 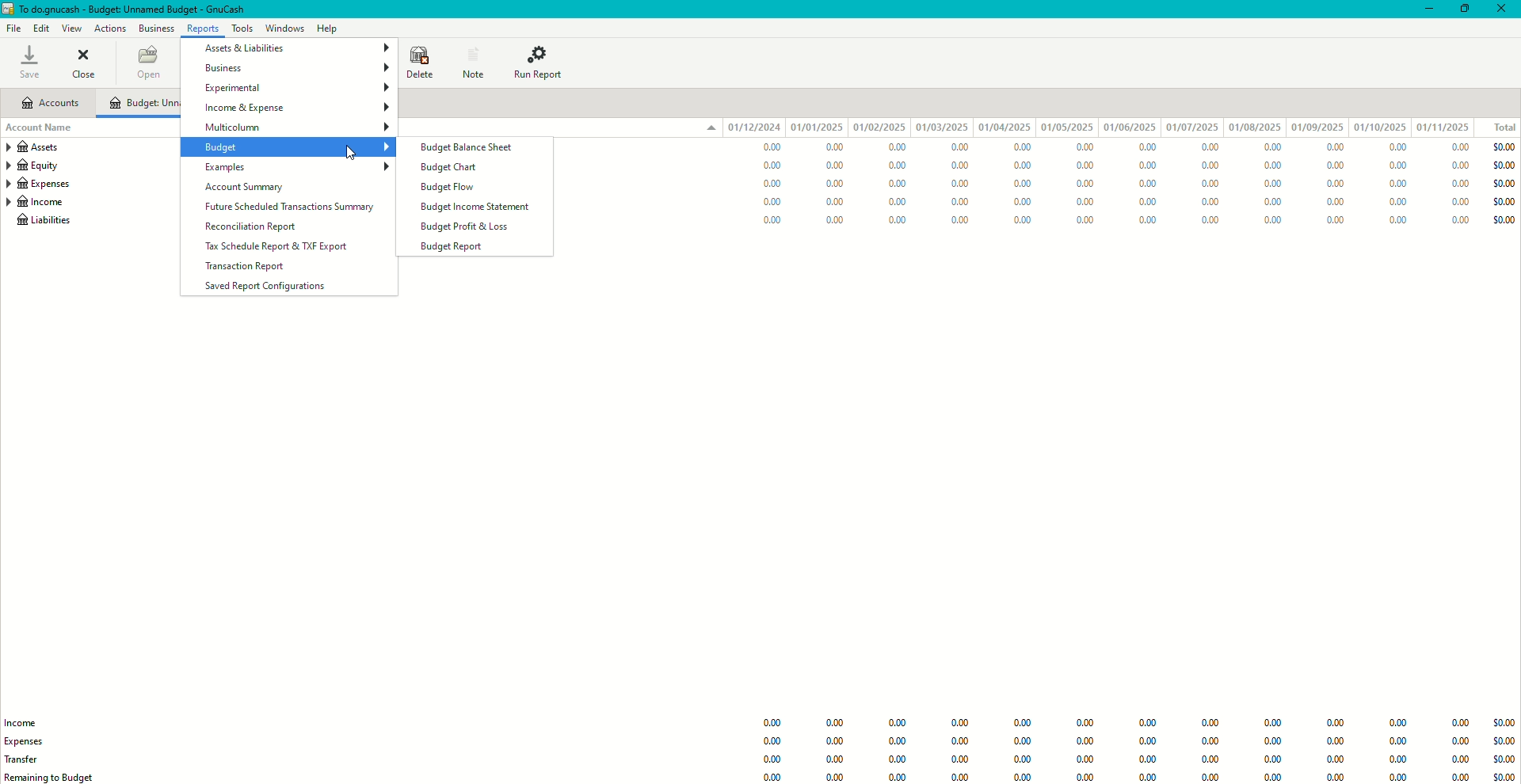 What do you see at coordinates (764, 184) in the screenshot?
I see `0.00` at bounding box center [764, 184].